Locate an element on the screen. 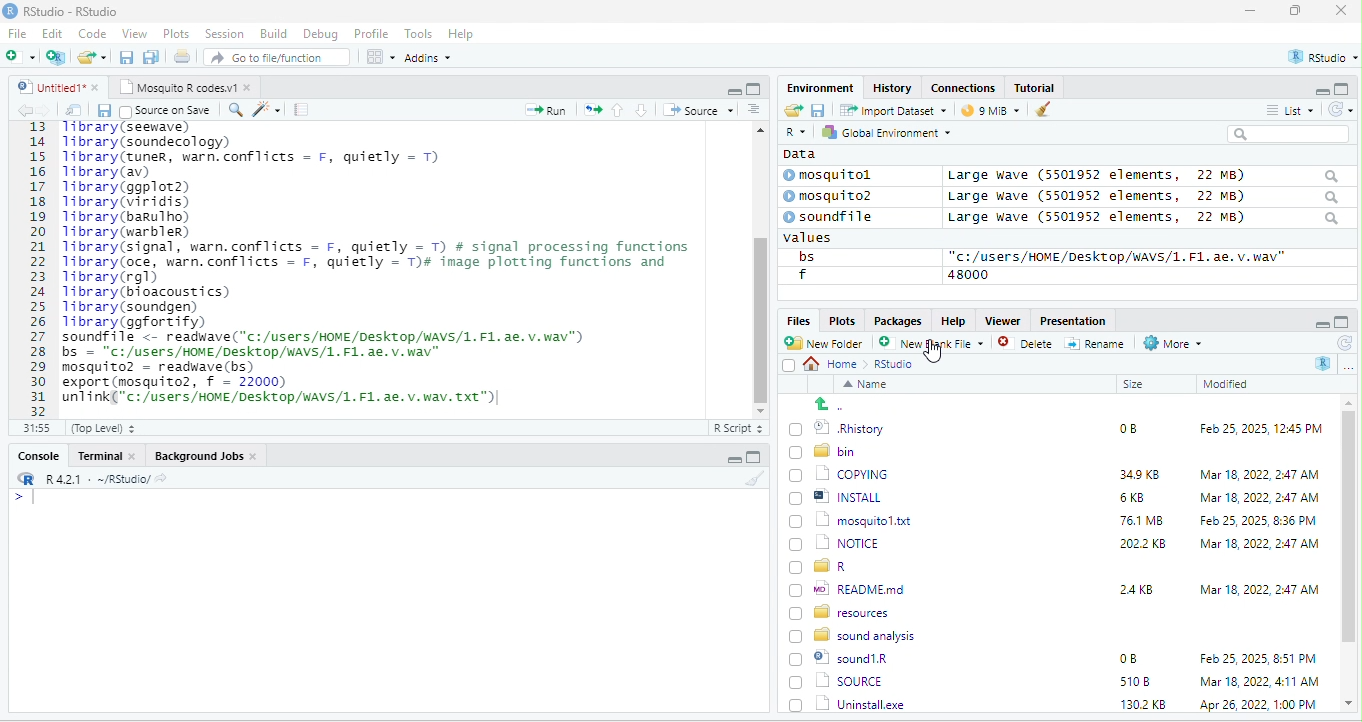  Ld bin is located at coordinates (825, 450).